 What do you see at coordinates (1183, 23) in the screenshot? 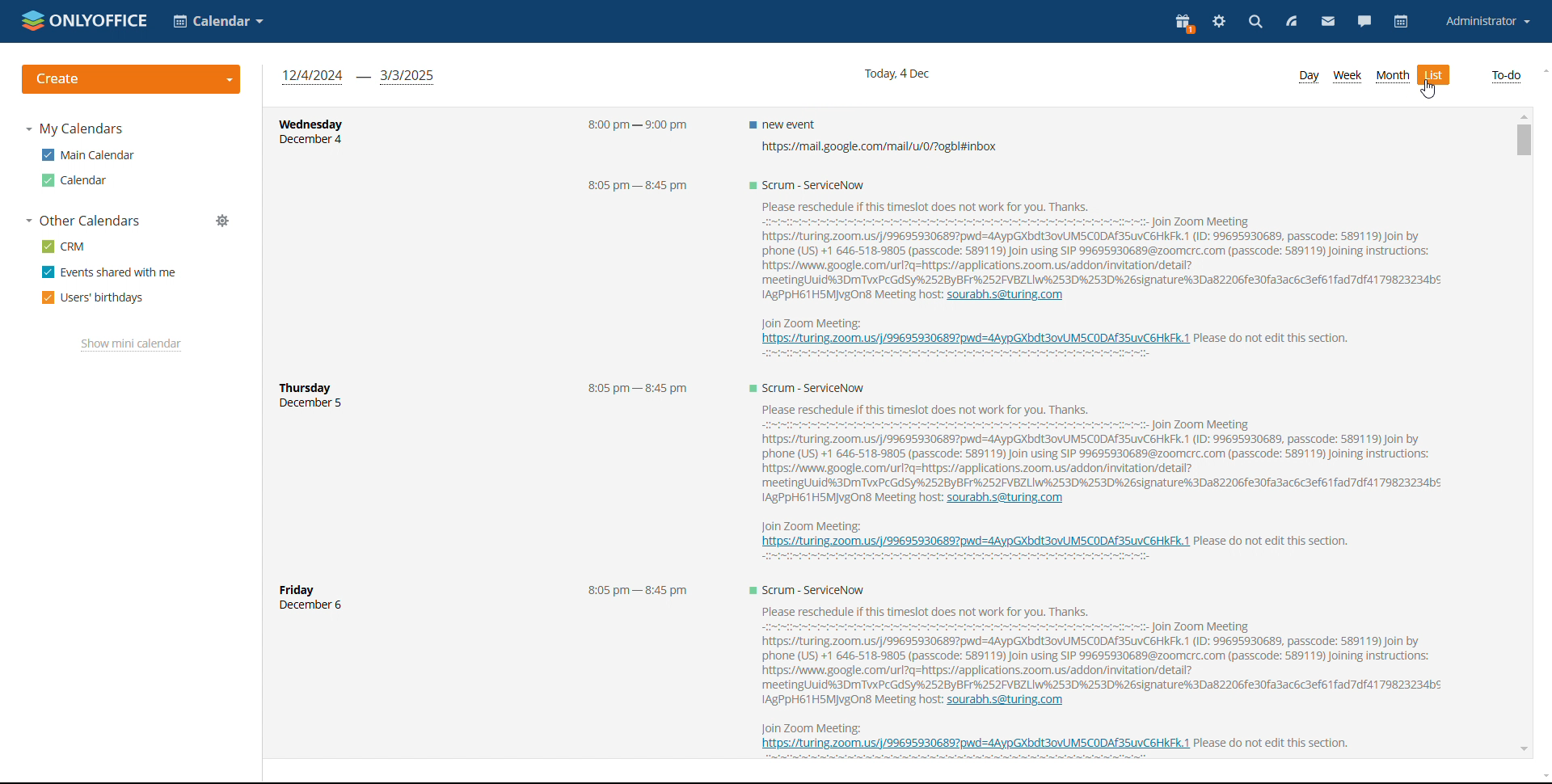
I see `present` at bounding box center [1183, 23].